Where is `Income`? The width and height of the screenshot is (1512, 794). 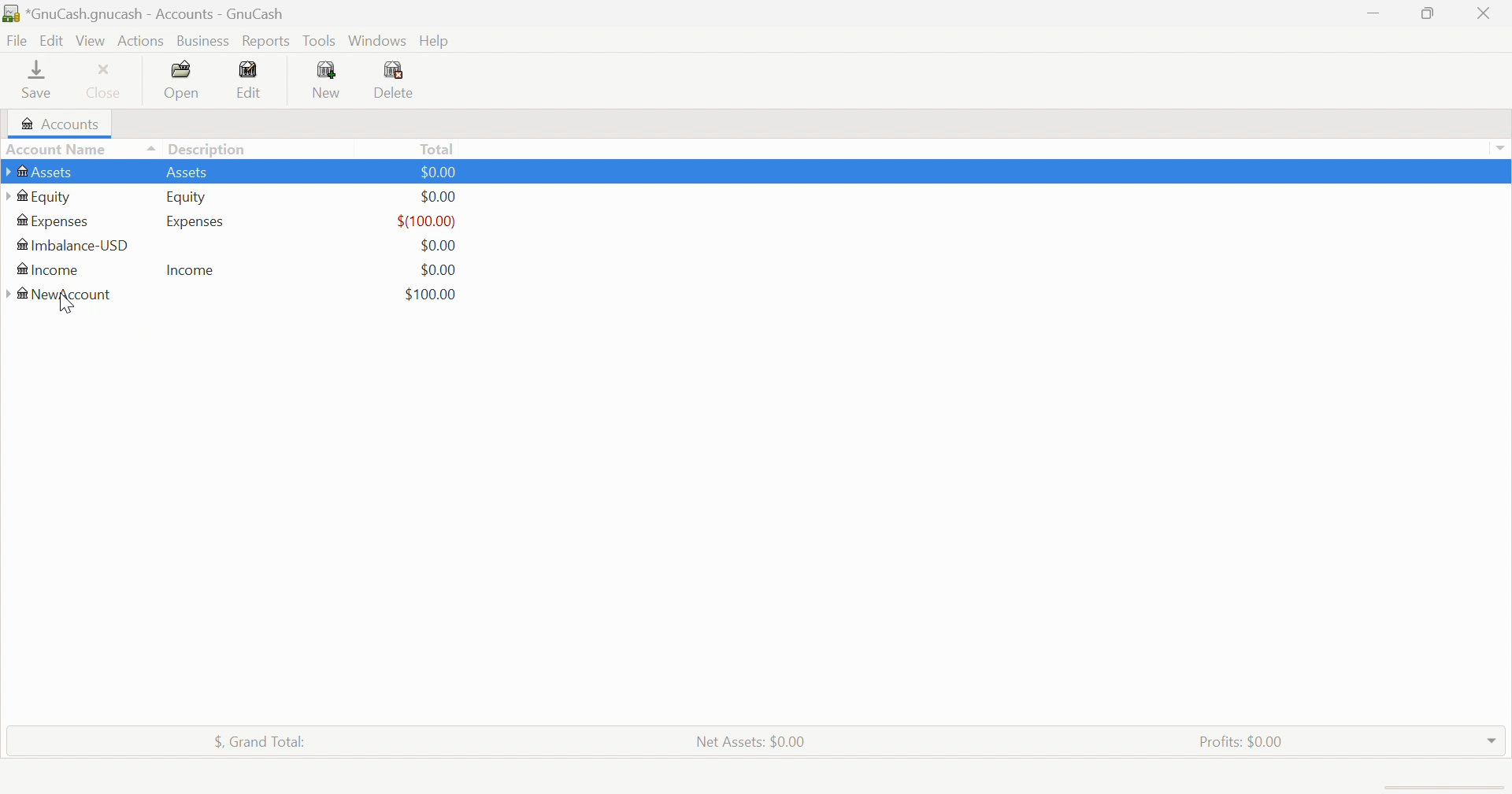
Income is located at coordinates (191, 269).